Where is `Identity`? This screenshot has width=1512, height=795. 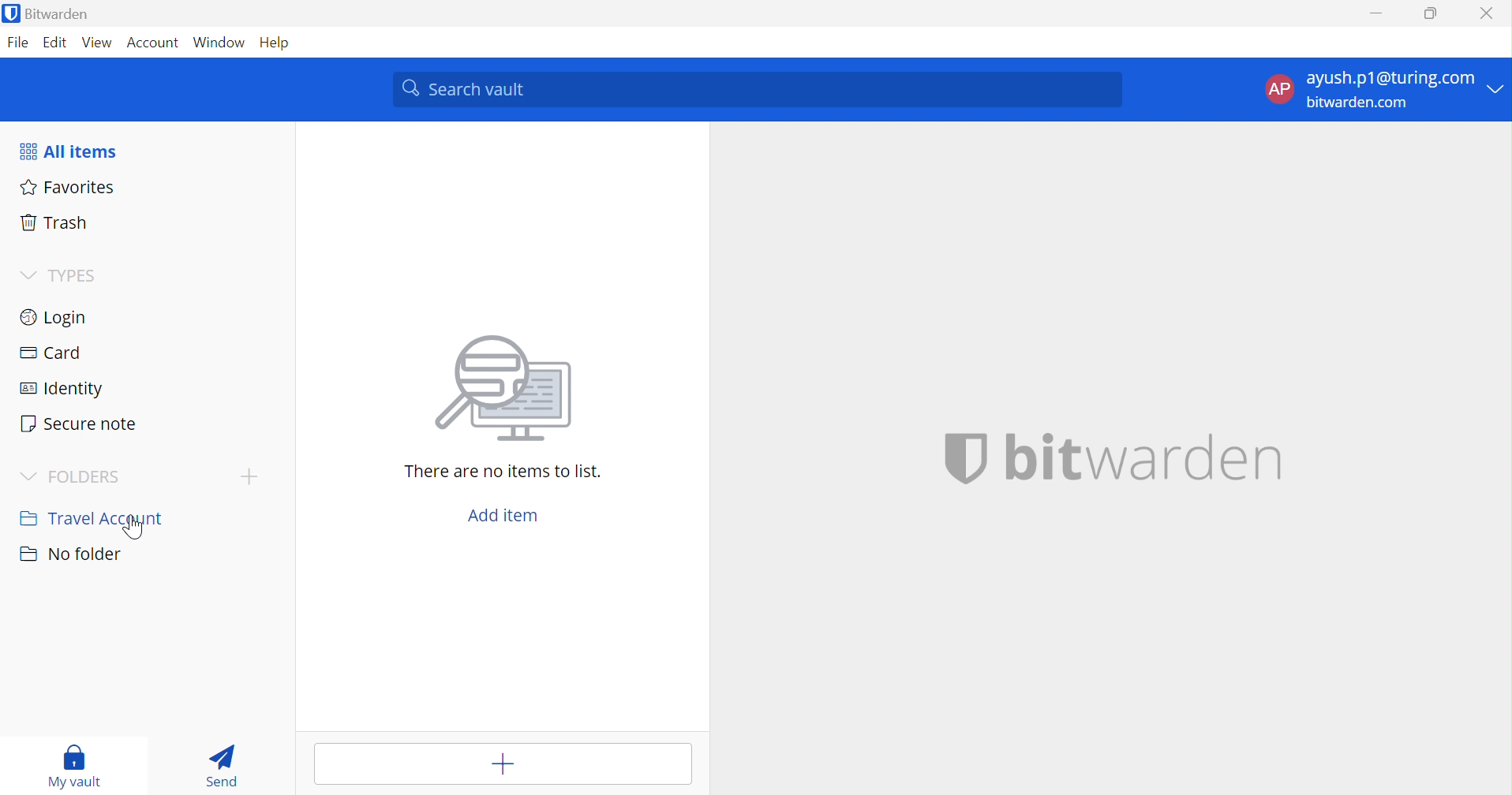
Identity is located at coordinates (65, 388).